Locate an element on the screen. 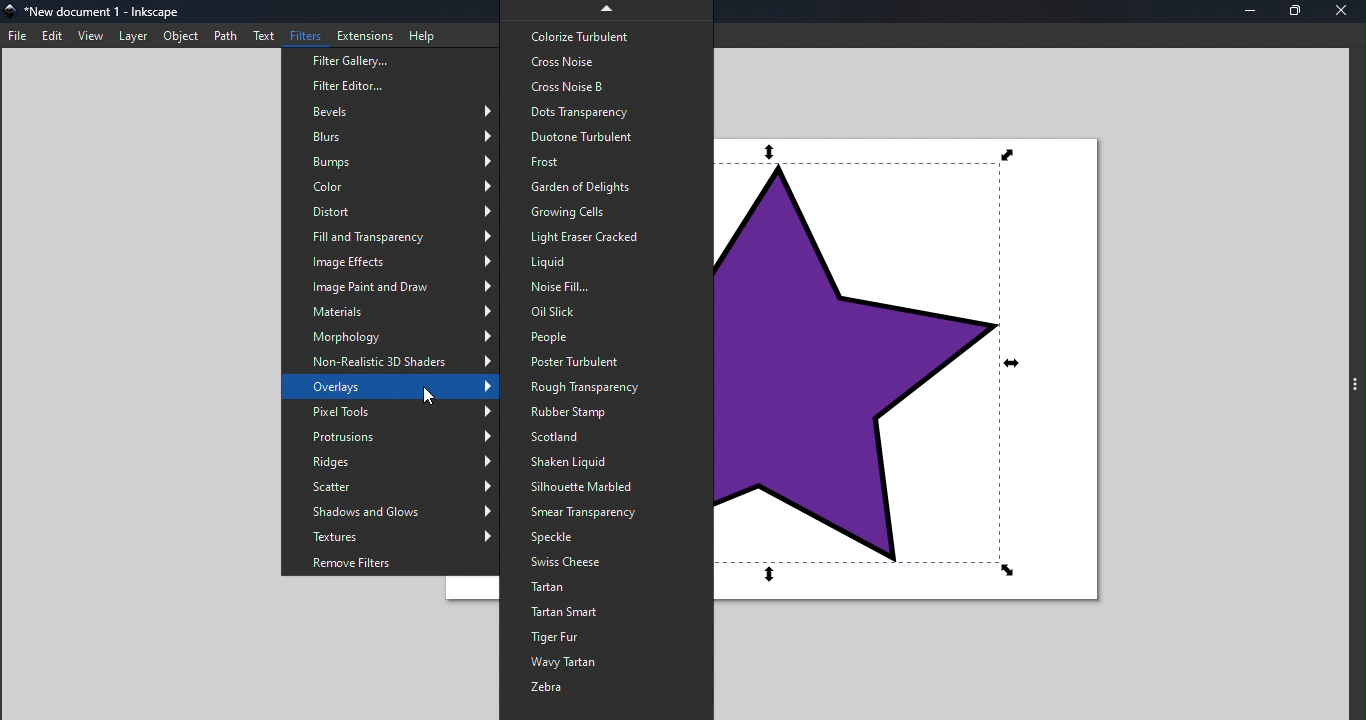  Object is located at coordinates (179, 36).